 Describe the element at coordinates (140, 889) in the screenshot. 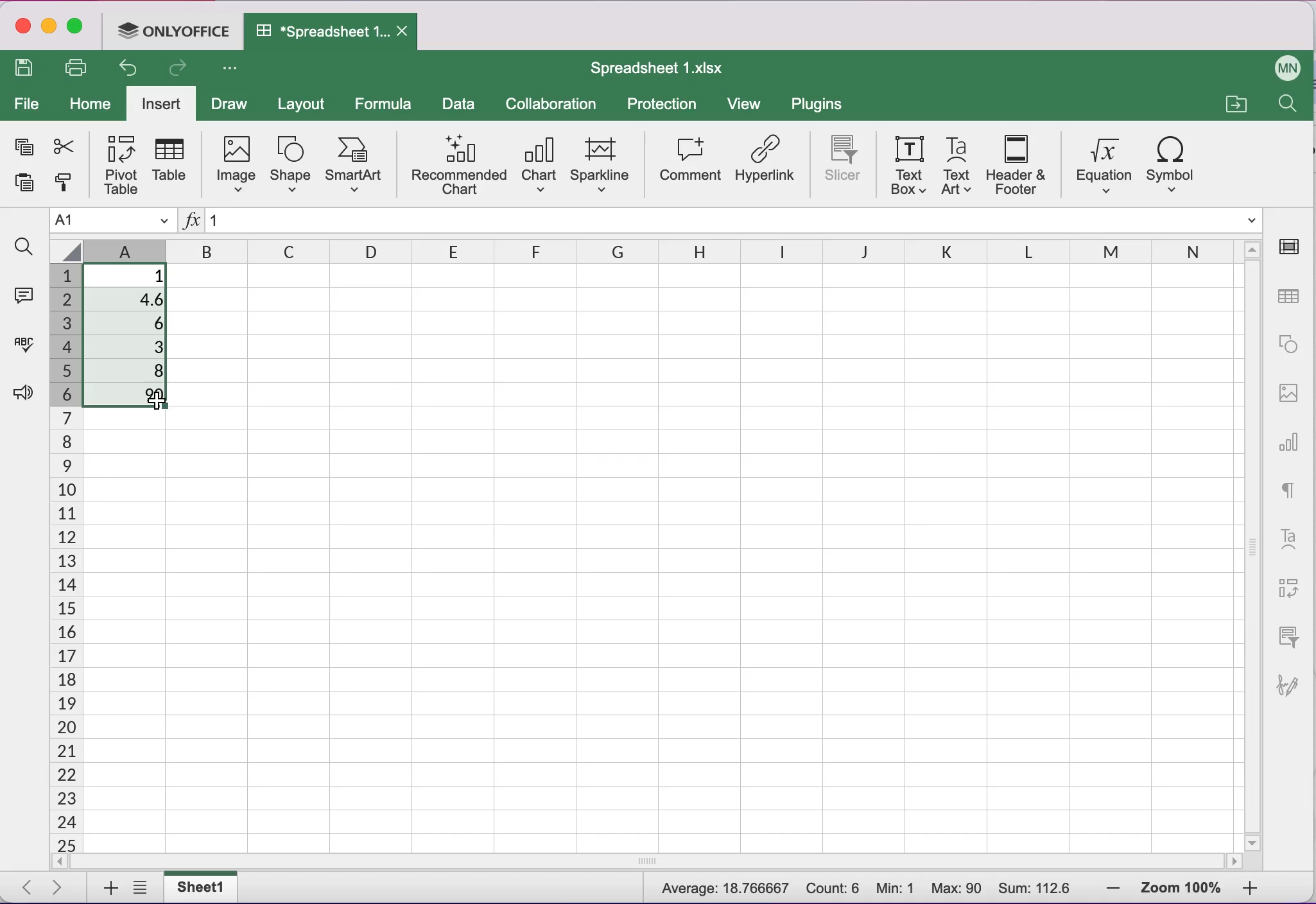

I see `list of sheets` at that location.